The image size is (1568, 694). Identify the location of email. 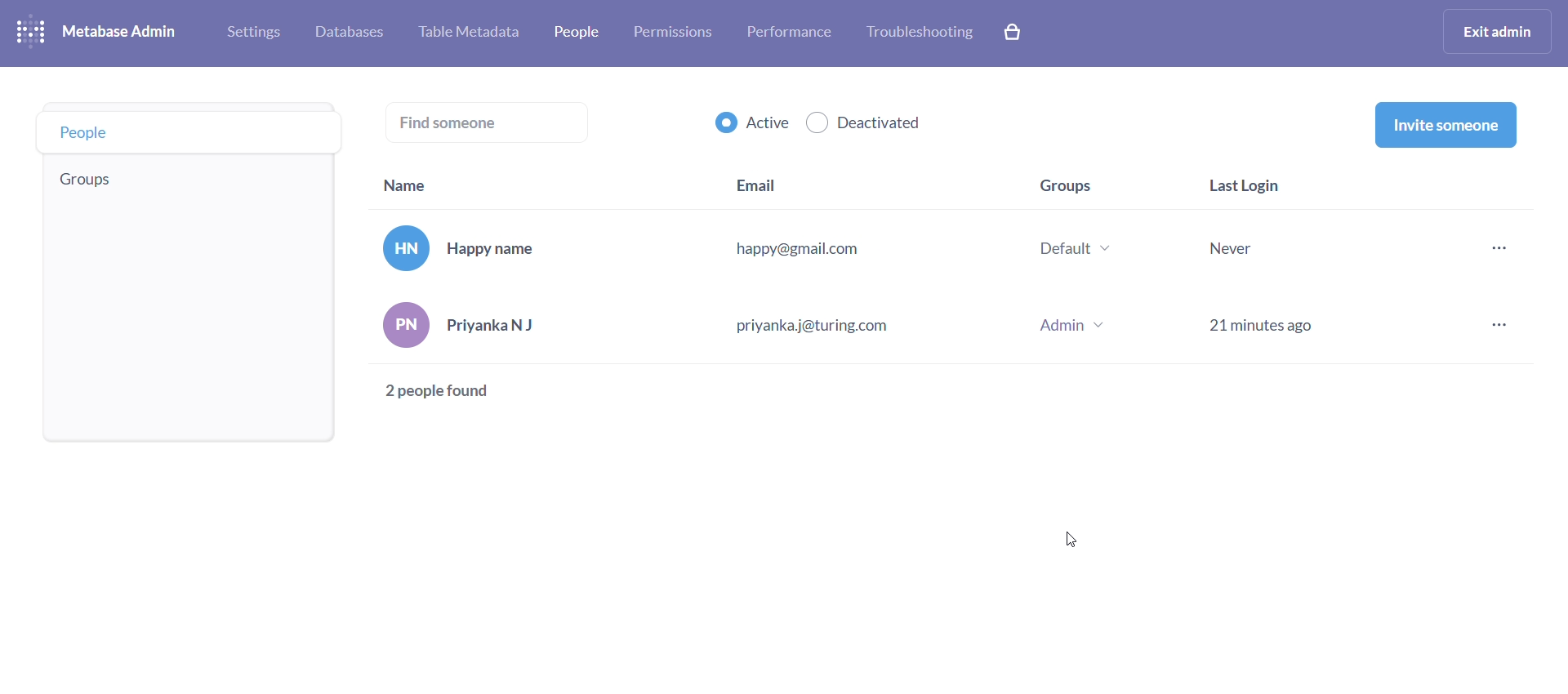
(759, 182).